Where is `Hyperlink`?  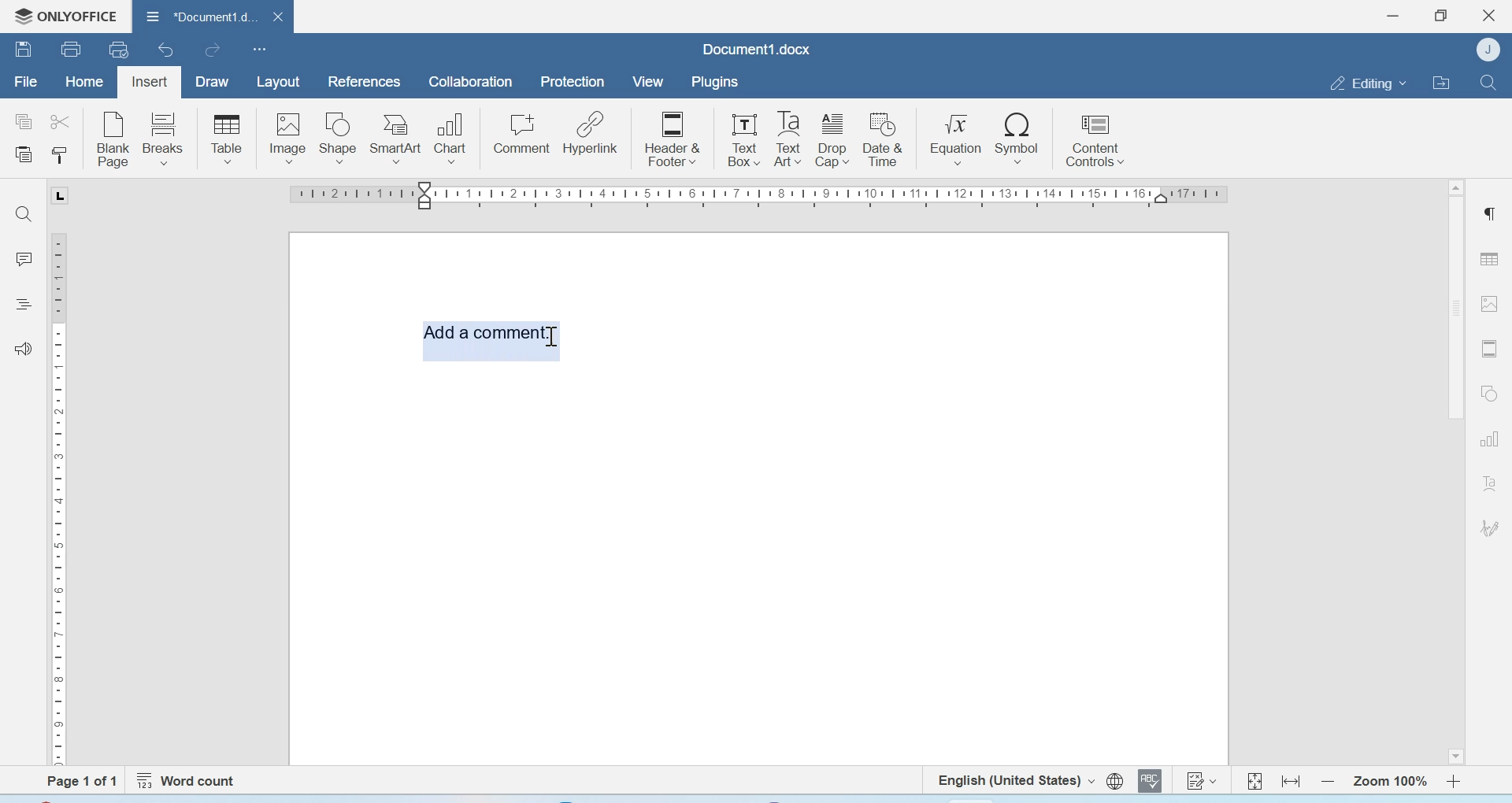 Hyperlink is located at coordinates (590, 133).